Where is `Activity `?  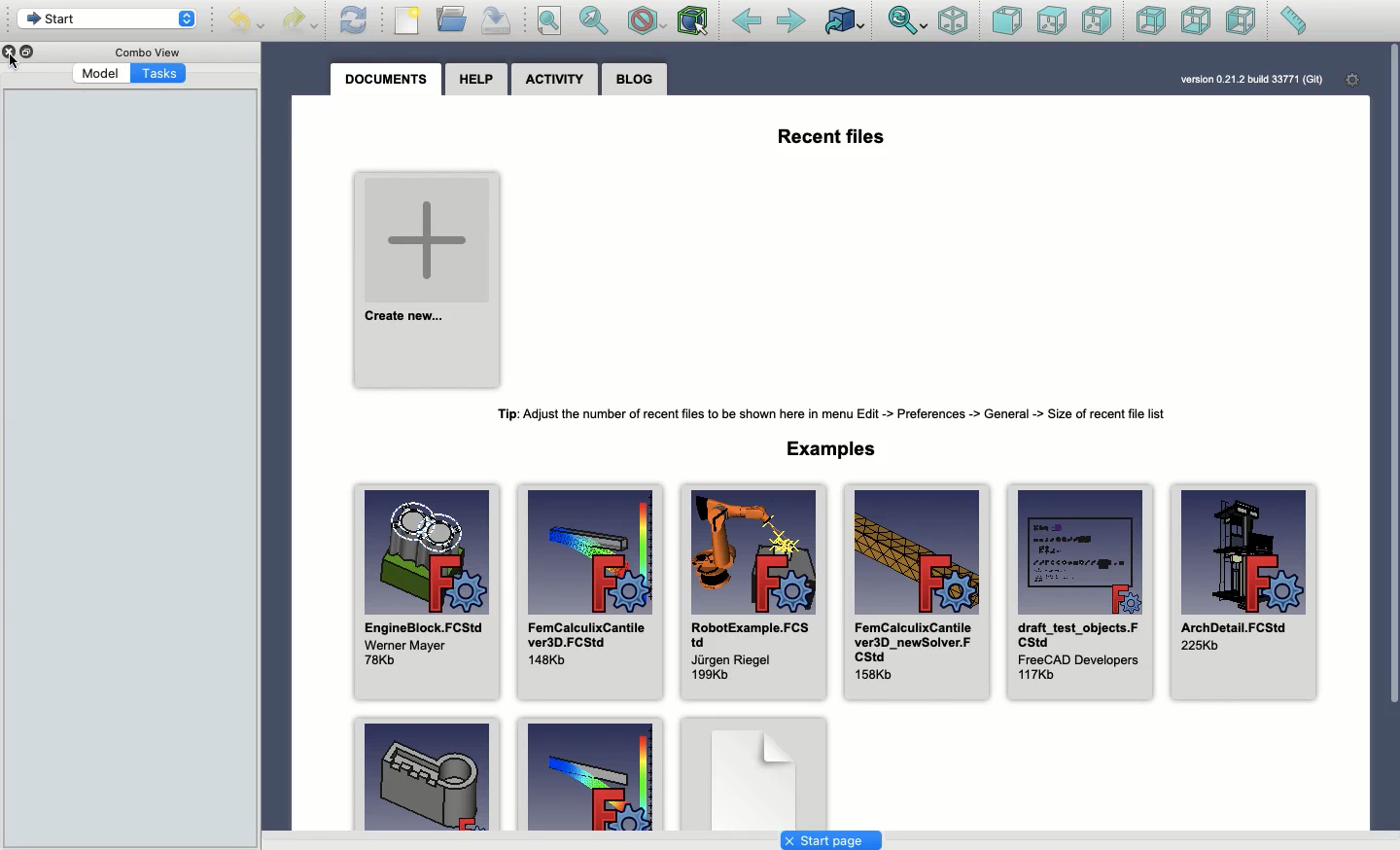
Activity  is located at coordinates (557, 80).